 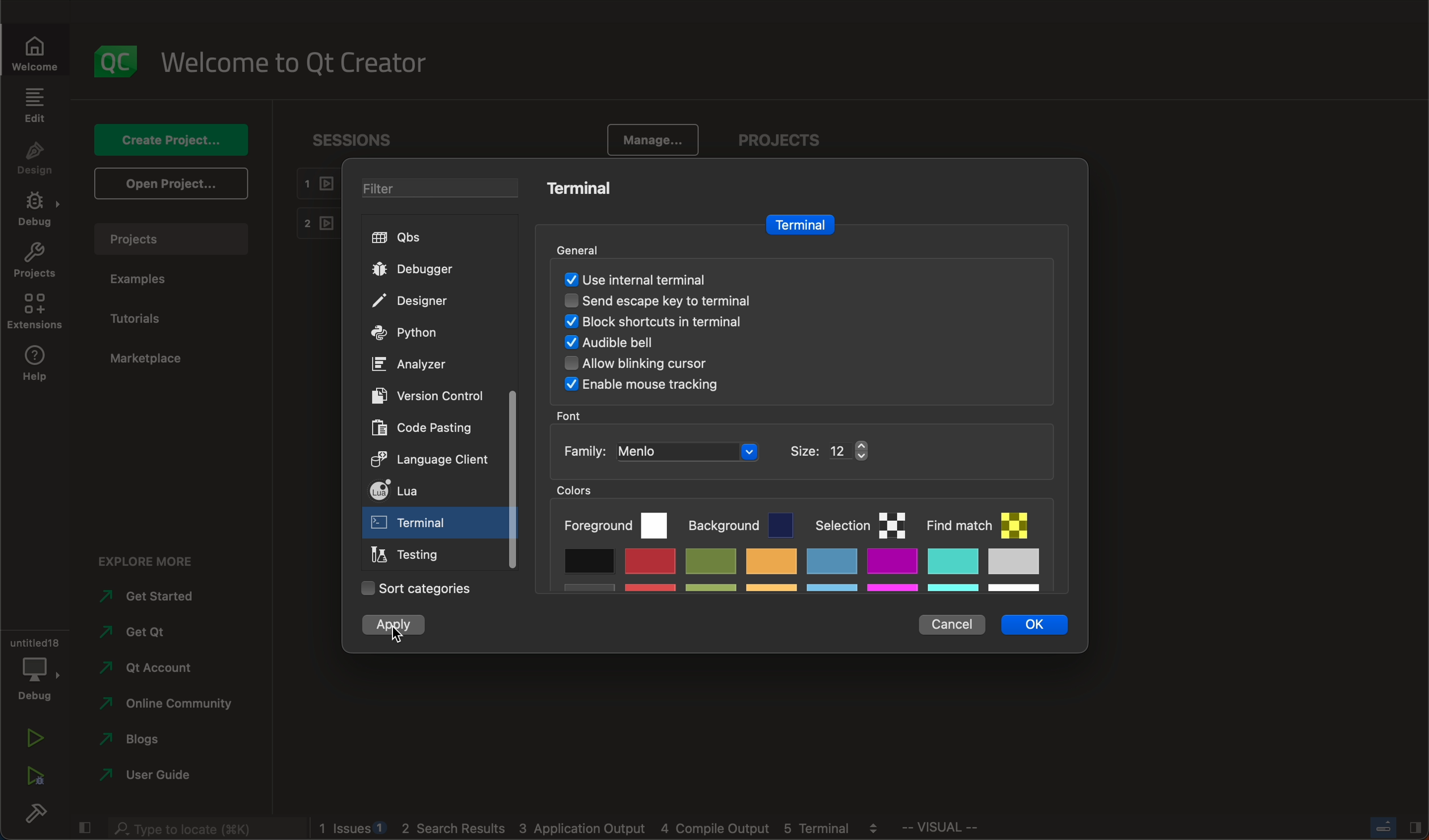 What do you see at coordinates (421, 300) in the screenshot?
I see `designer` at bounding box center [421, 300].